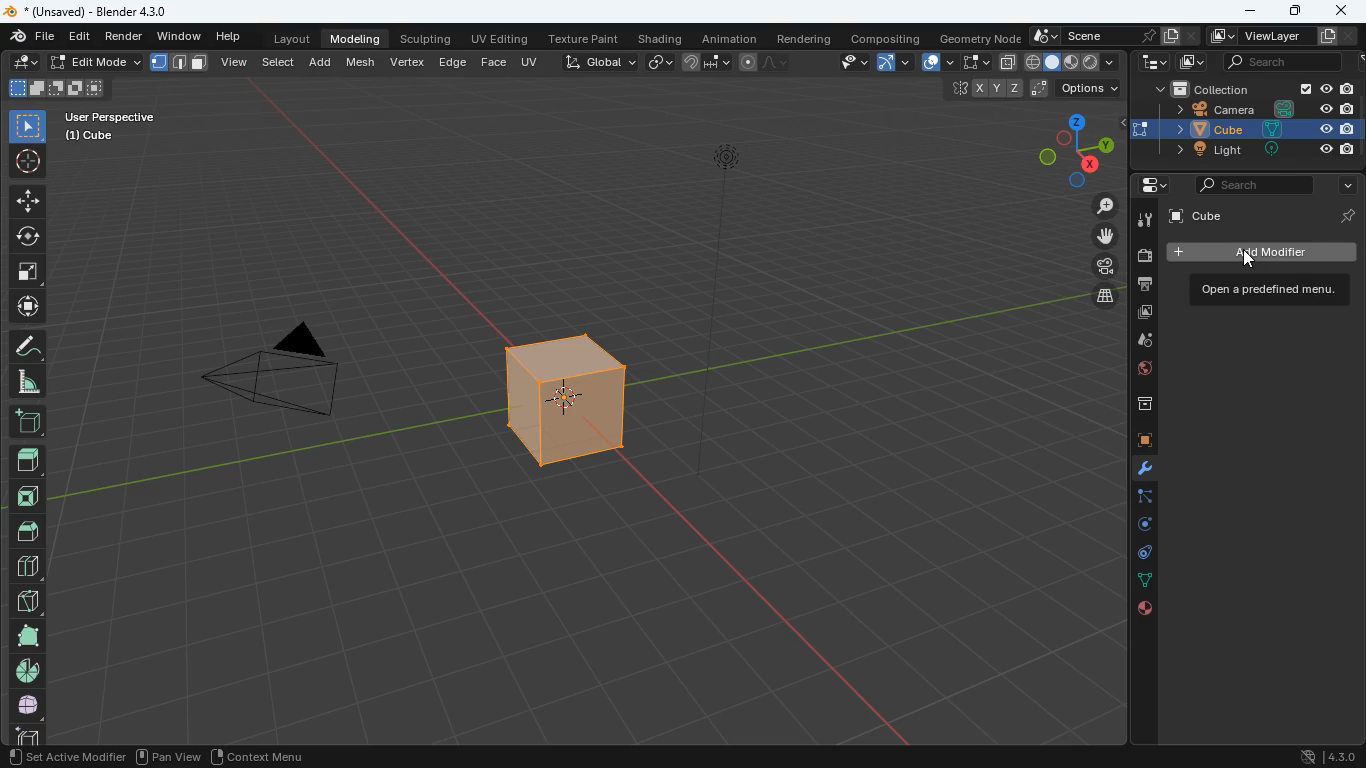 Image resolution: width=1366 pixels, height=768 pixels. I want to click on blocks, so click(28, 569).